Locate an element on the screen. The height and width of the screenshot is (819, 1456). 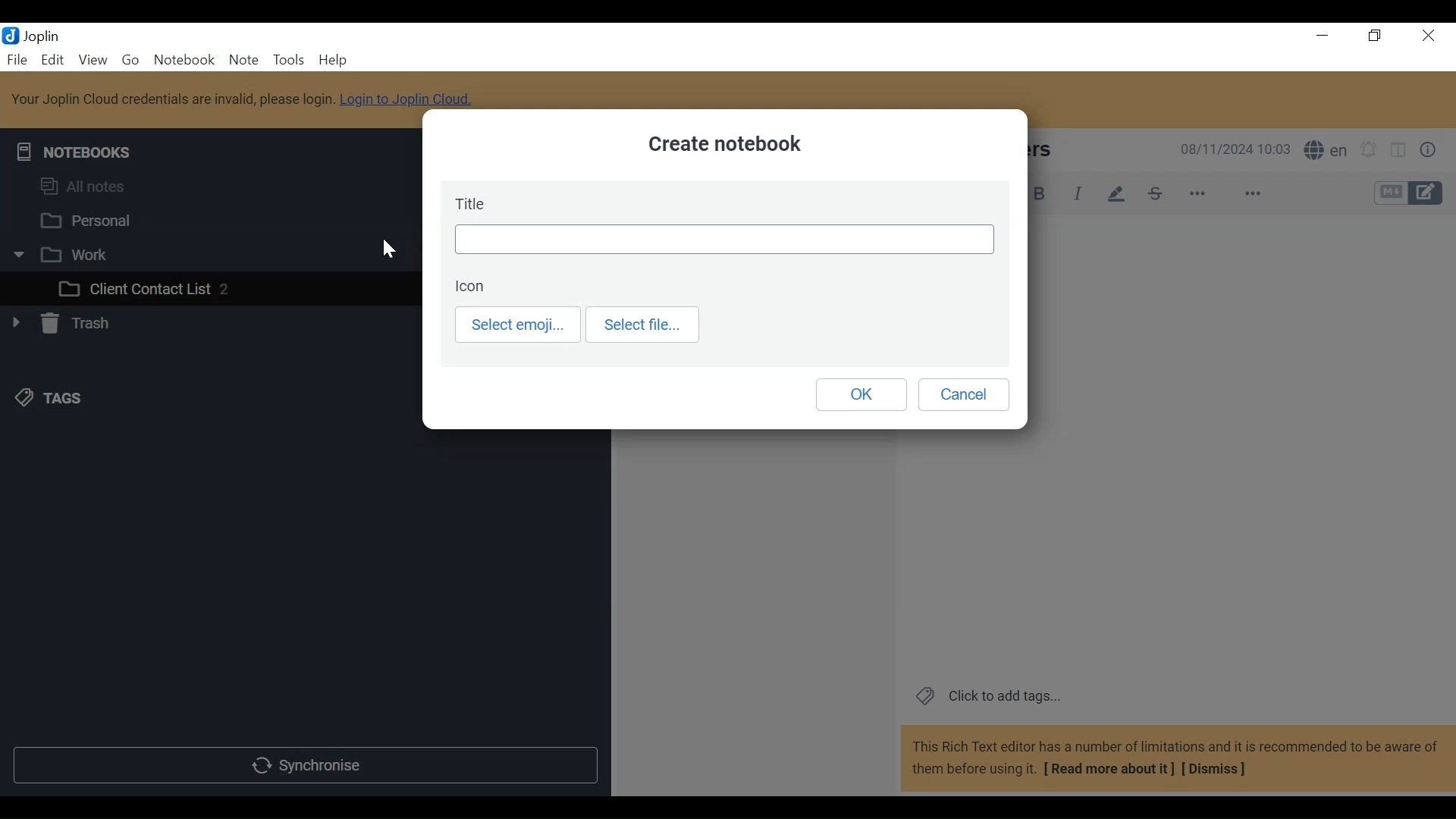
View is located at coordinates (93, 61).